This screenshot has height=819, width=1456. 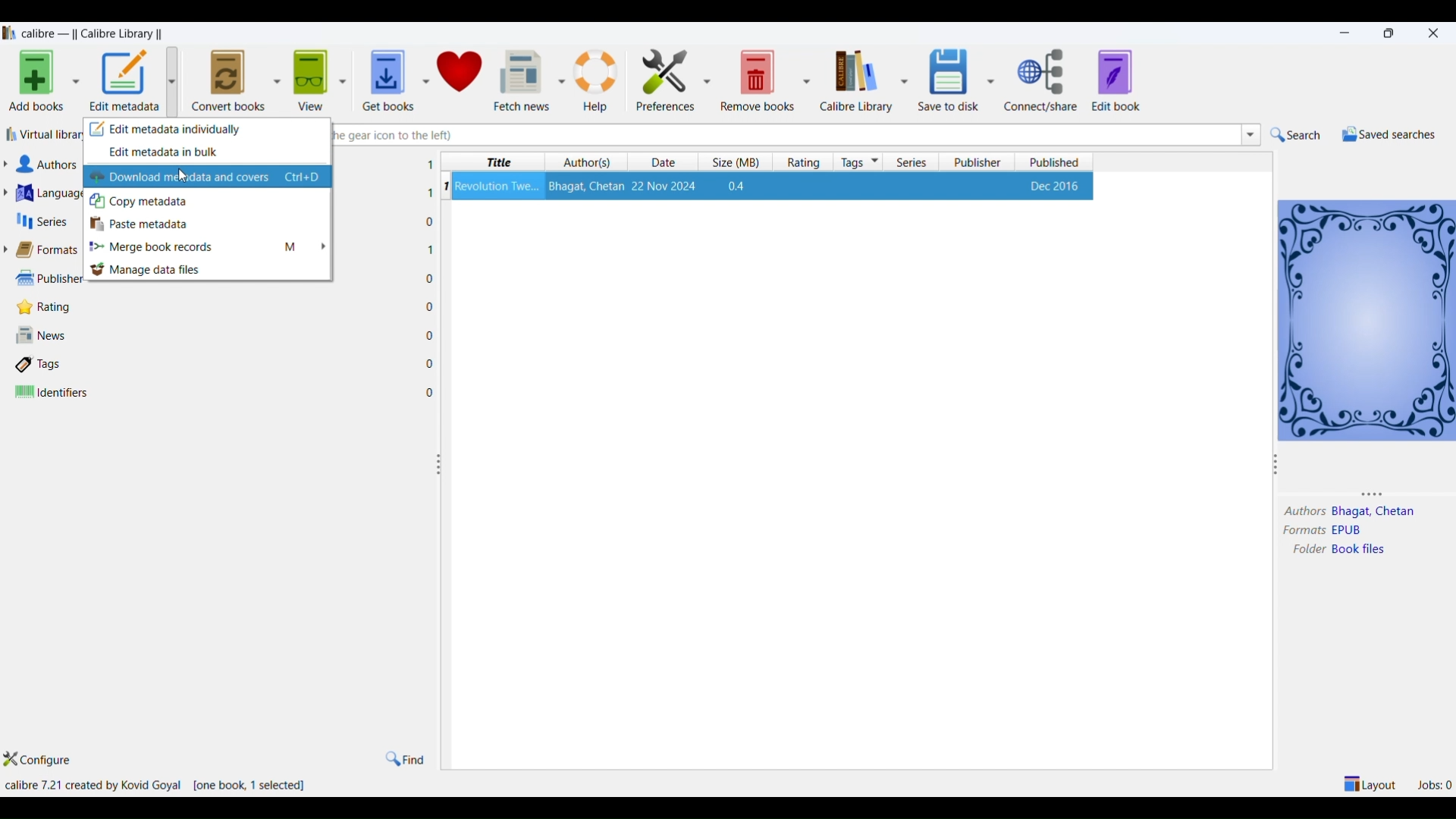 I want to click on format type, so click(x=1354, y=531).